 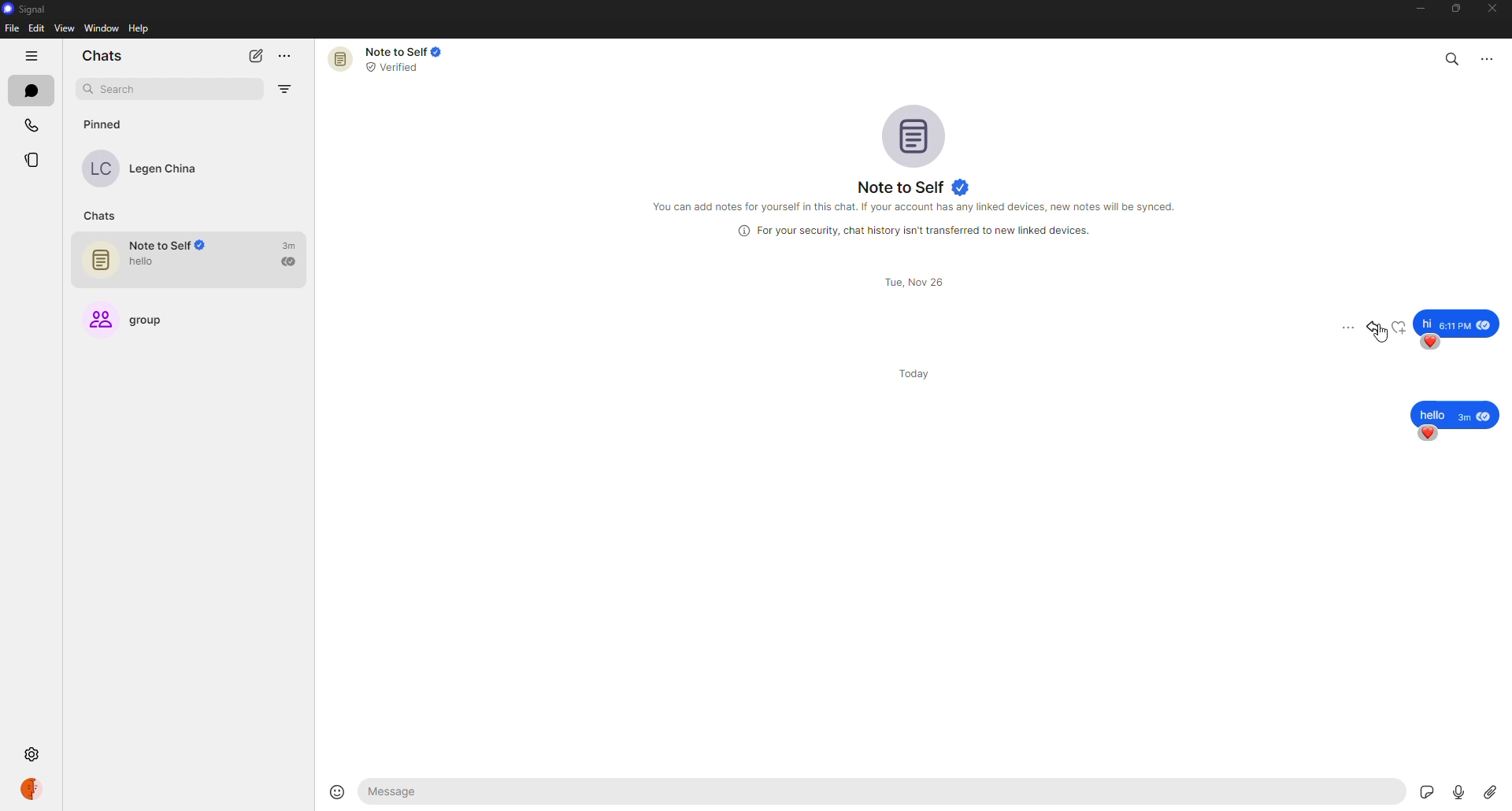 I want to click on note to self, so click(x=387, y=59).